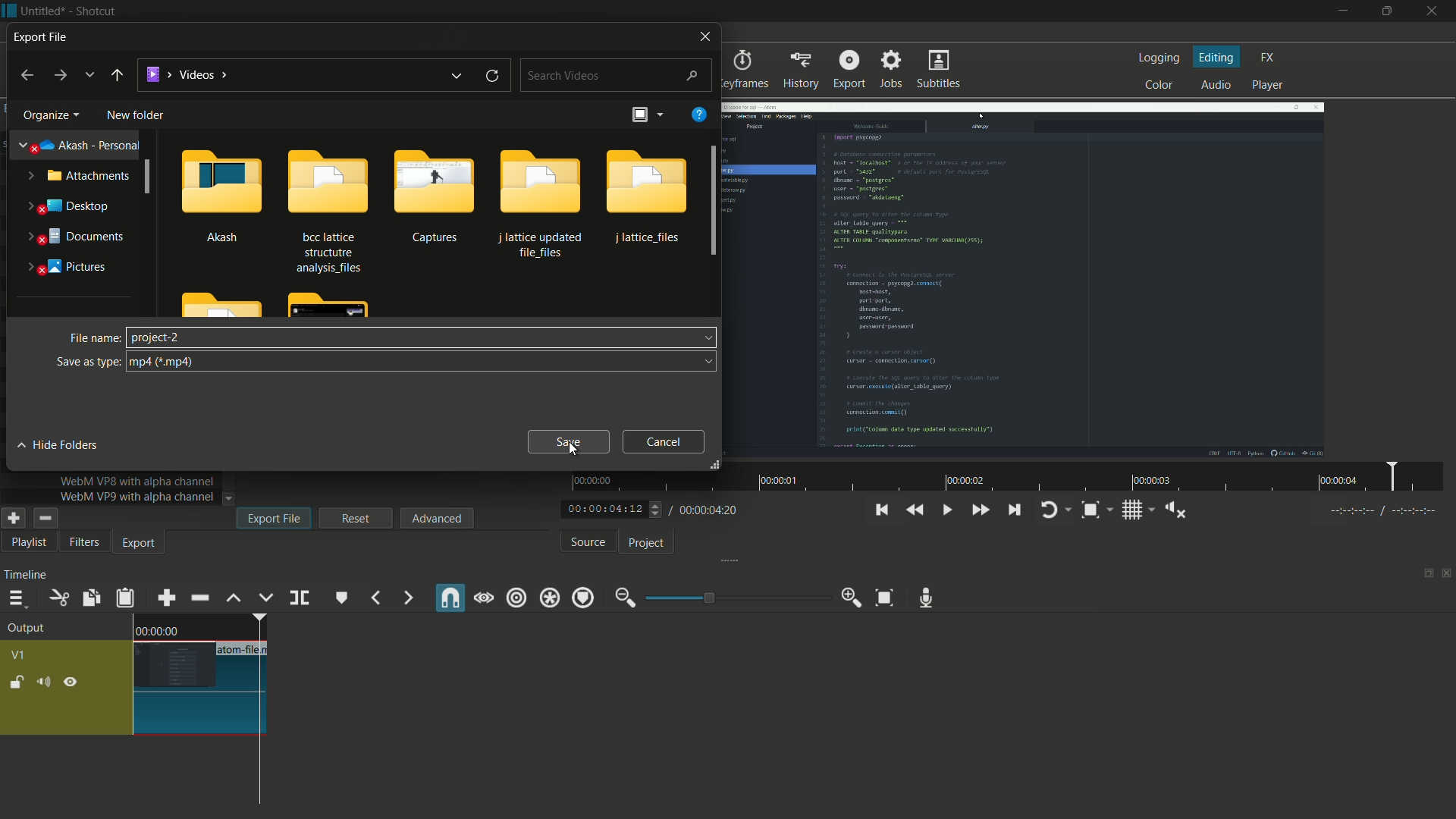 This screenshot has width=1456, height=819. What do you see at coordinates (1423, 574) in the screenshot?
I see `change layout` at bounding box center [1423, 574].